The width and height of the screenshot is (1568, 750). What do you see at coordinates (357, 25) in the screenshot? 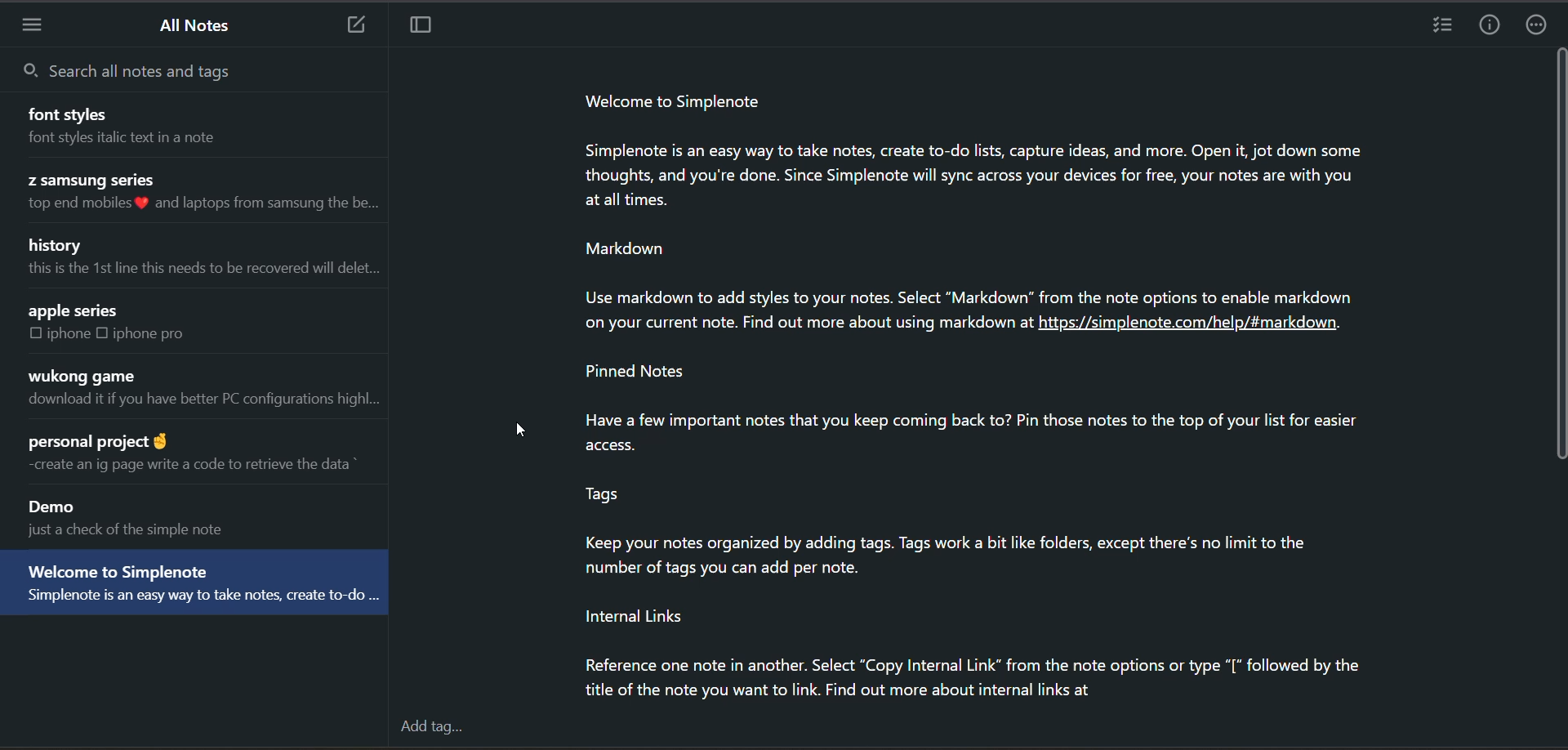
I see `add new note` at bounding box center [357, 25].